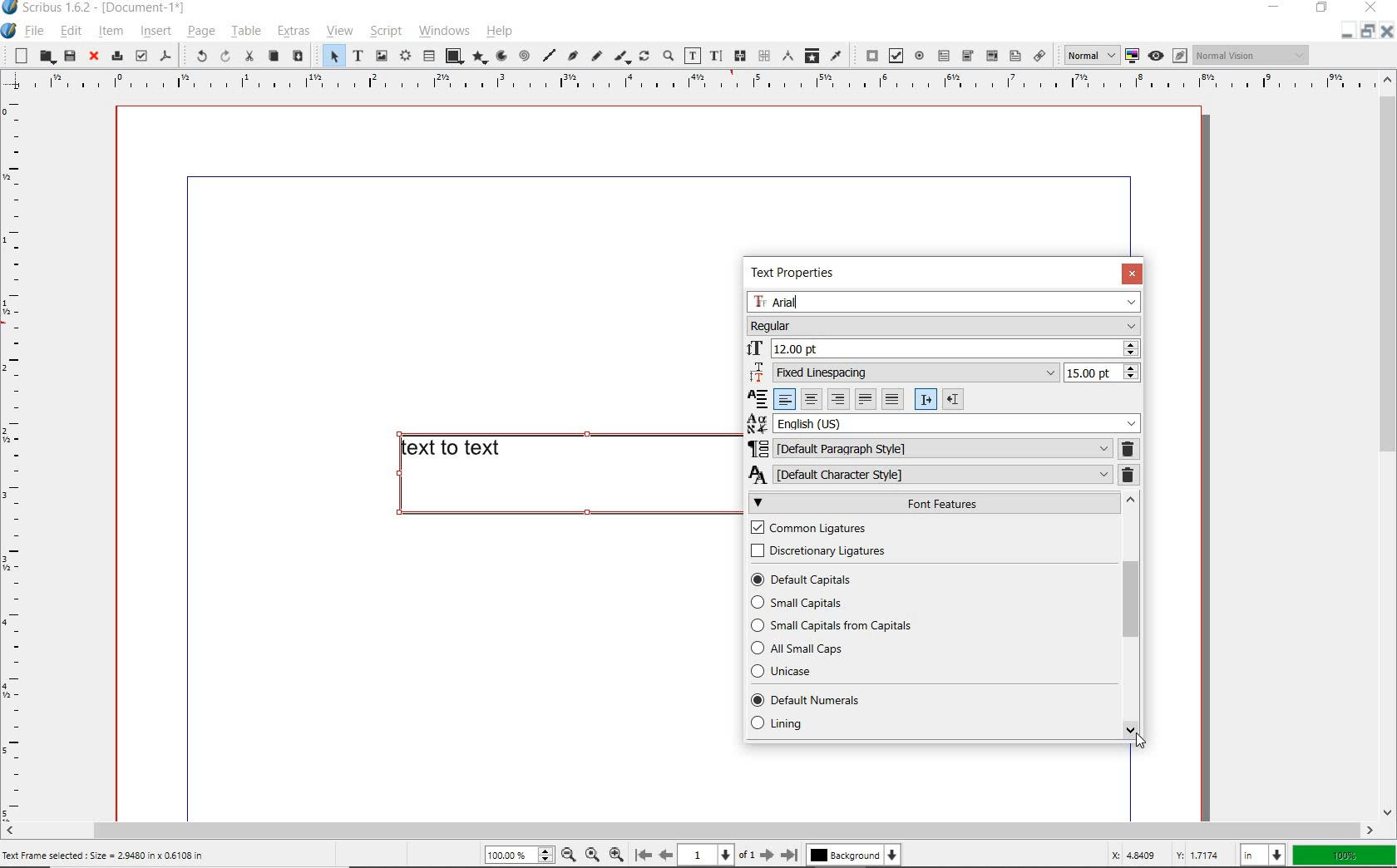 The width and height of the screenshot is (1397, 868). Describe the element at coordinates (245, 32) in the screenshot. I see `table` at that location.